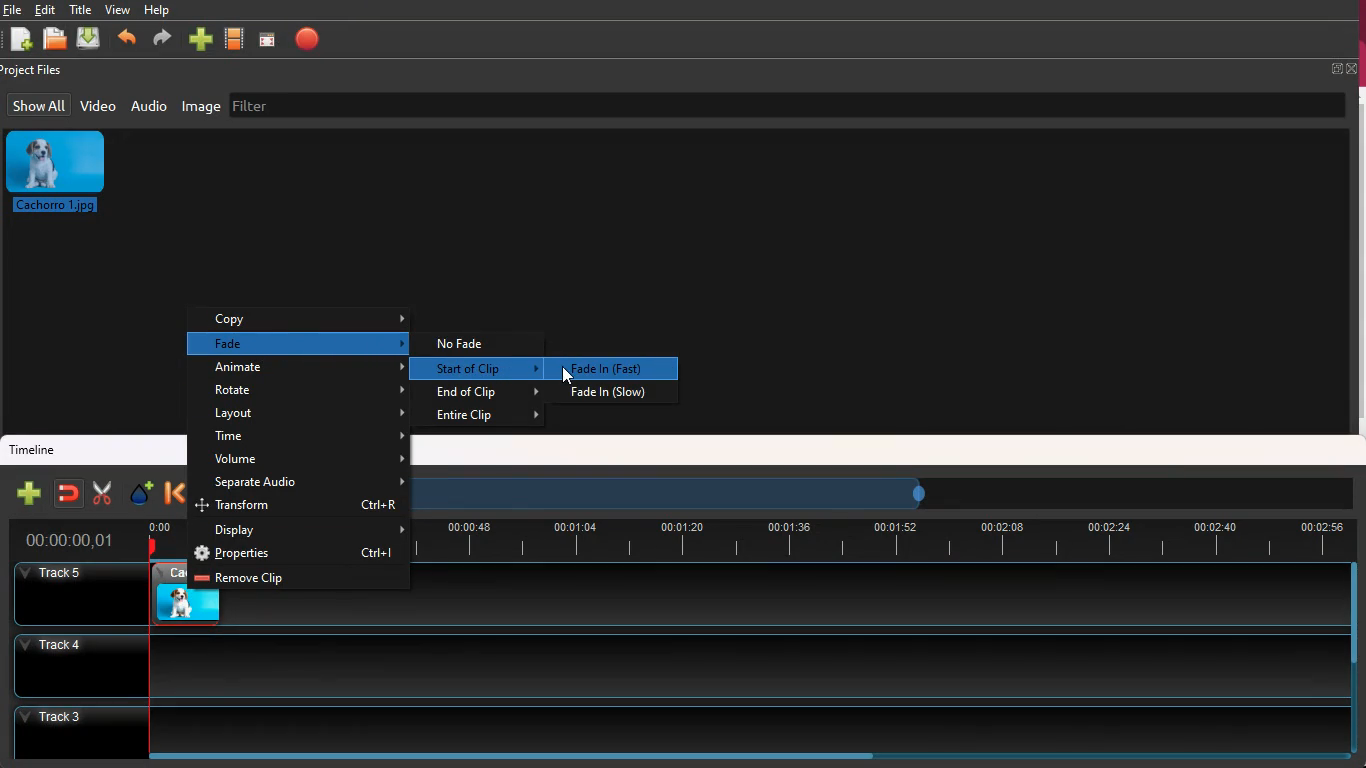 The height and width of the screenshot is (768, 1366). What do you see at coordinates (881, 540) in the screenshot?
I see `time` at bounding box center [881, 540].